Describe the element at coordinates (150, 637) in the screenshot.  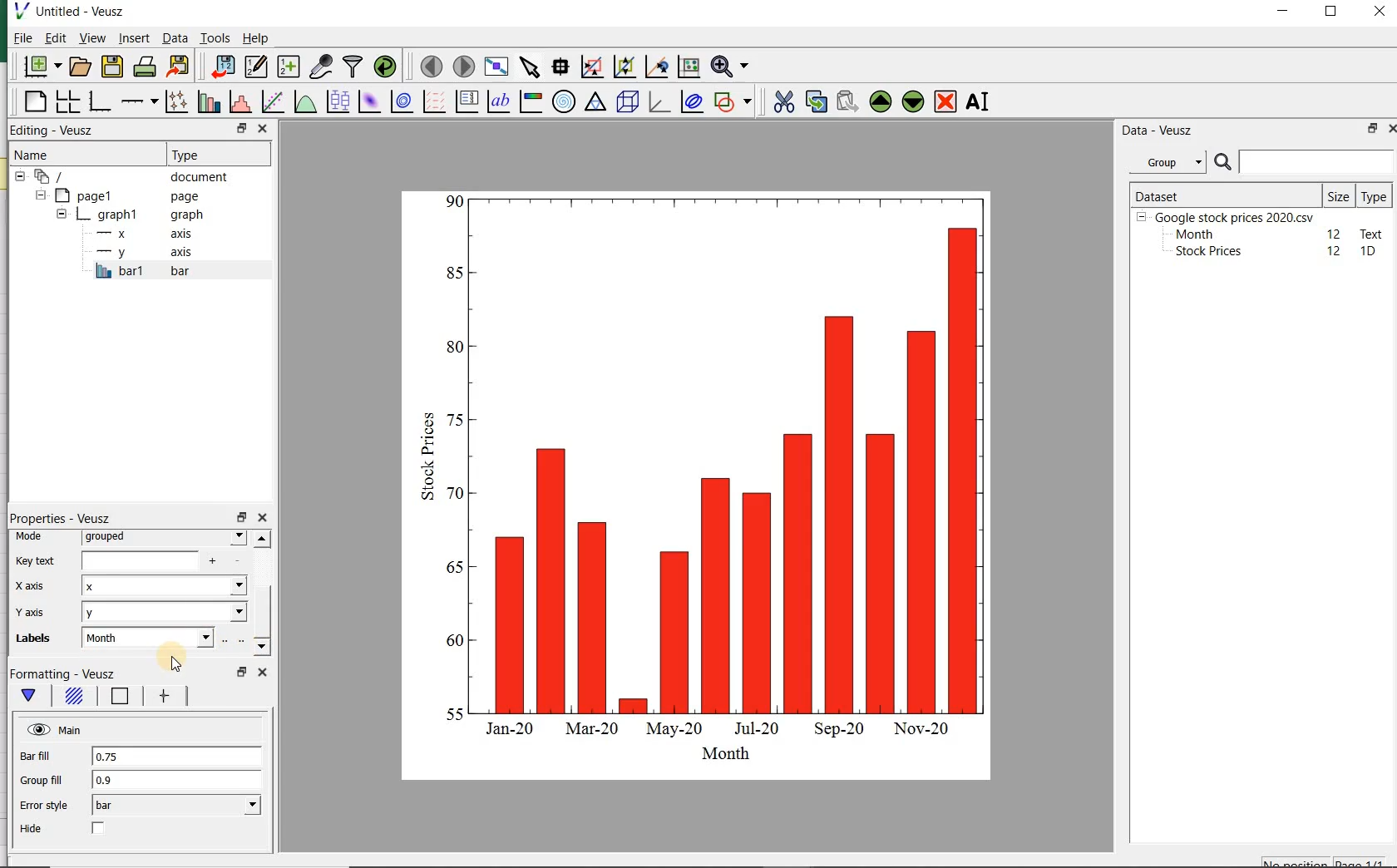
I see `input field` at that location.